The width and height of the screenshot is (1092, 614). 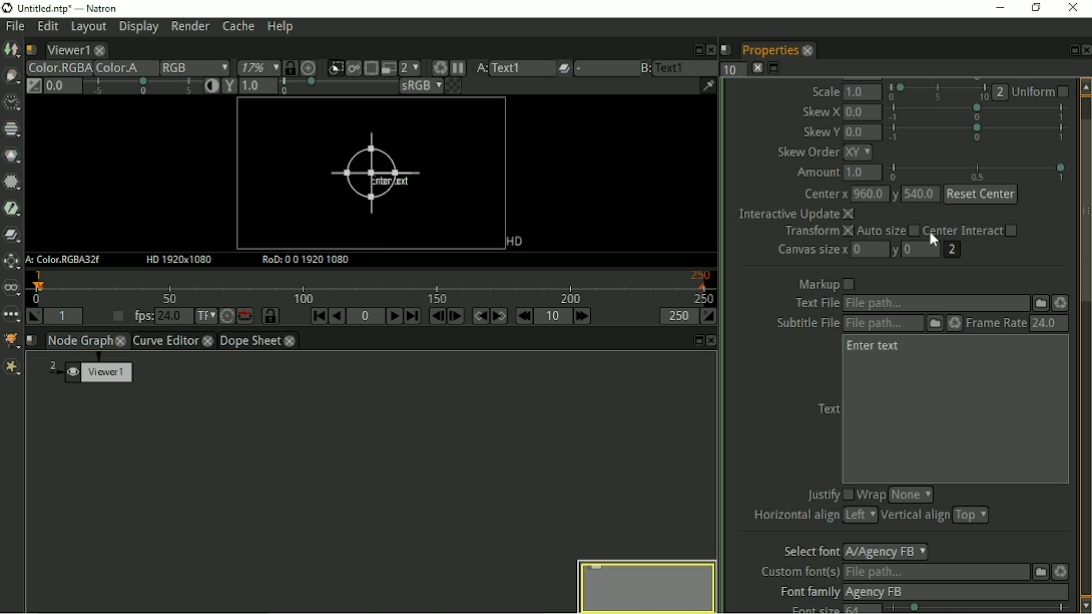 I want to click on Synchronize timeline frame, so click(x=271, y=316).